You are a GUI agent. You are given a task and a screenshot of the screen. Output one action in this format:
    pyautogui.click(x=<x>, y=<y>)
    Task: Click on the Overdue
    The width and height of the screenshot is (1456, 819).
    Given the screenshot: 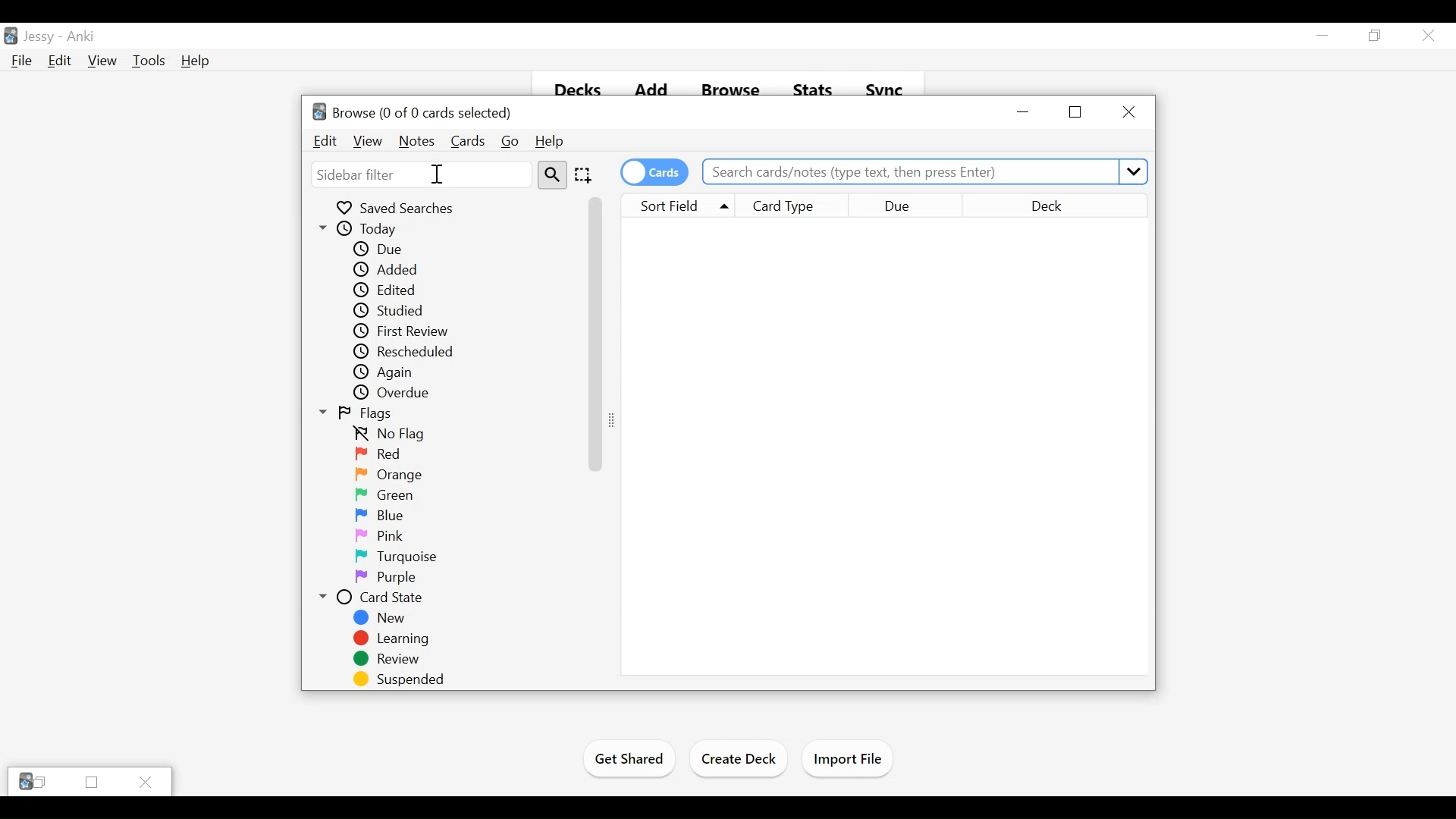 What is the action you would take?
    pyautogui.click(x=398, y=393)
    